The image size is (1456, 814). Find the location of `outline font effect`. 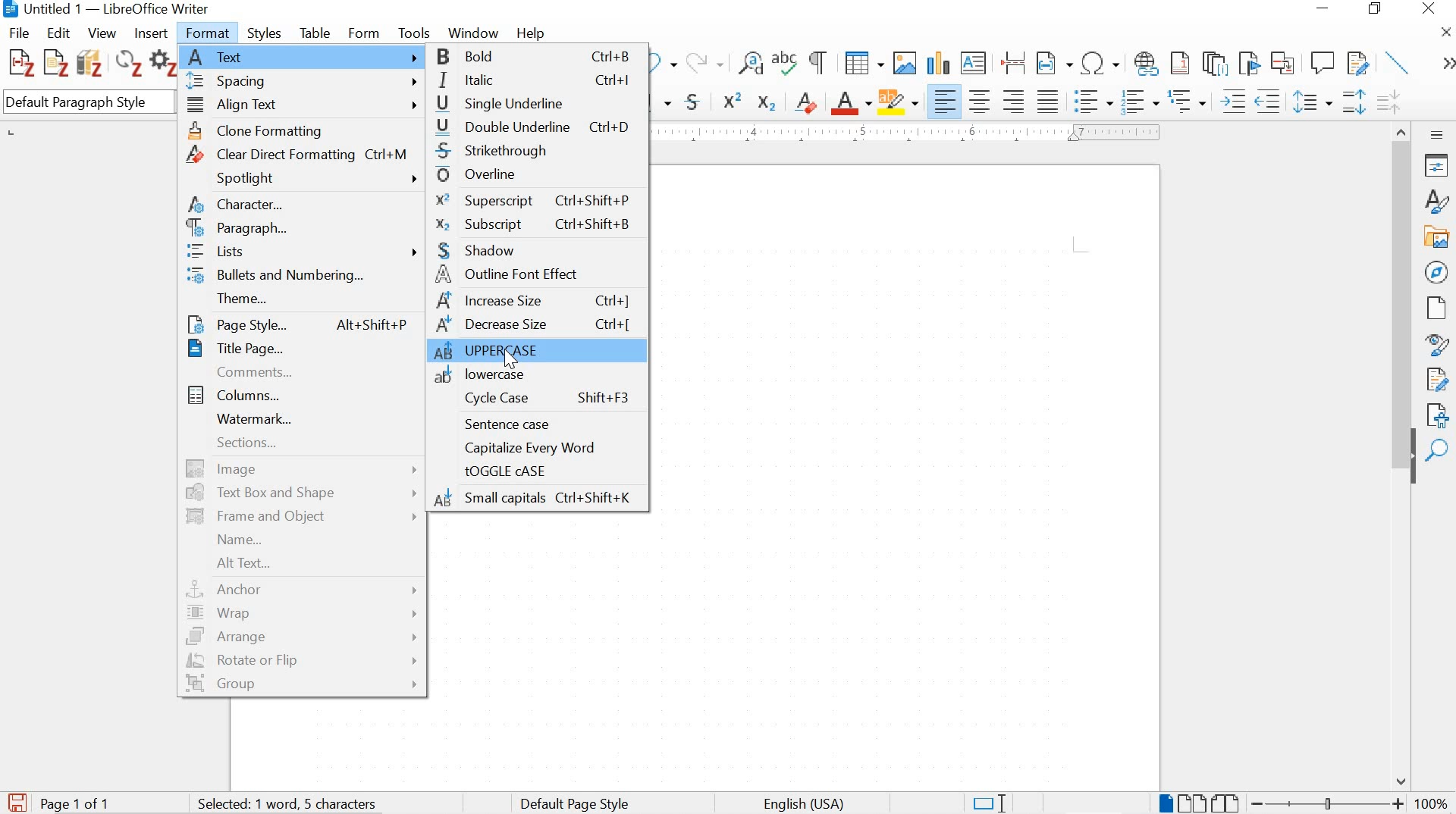

outline font effect is located at coordinates (535, 275).